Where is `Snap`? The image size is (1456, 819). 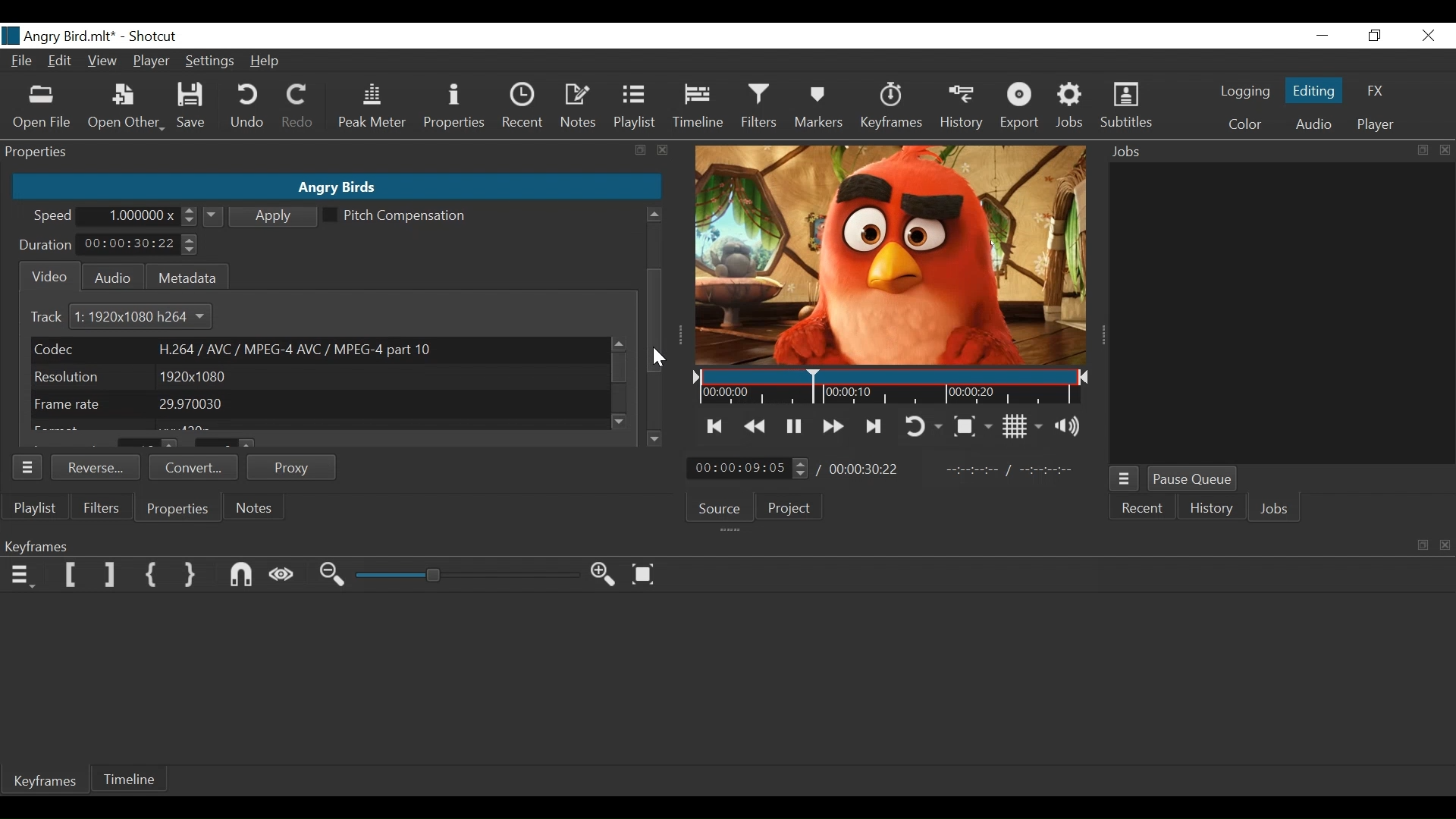
Snap is located at coordinates (242, 576).